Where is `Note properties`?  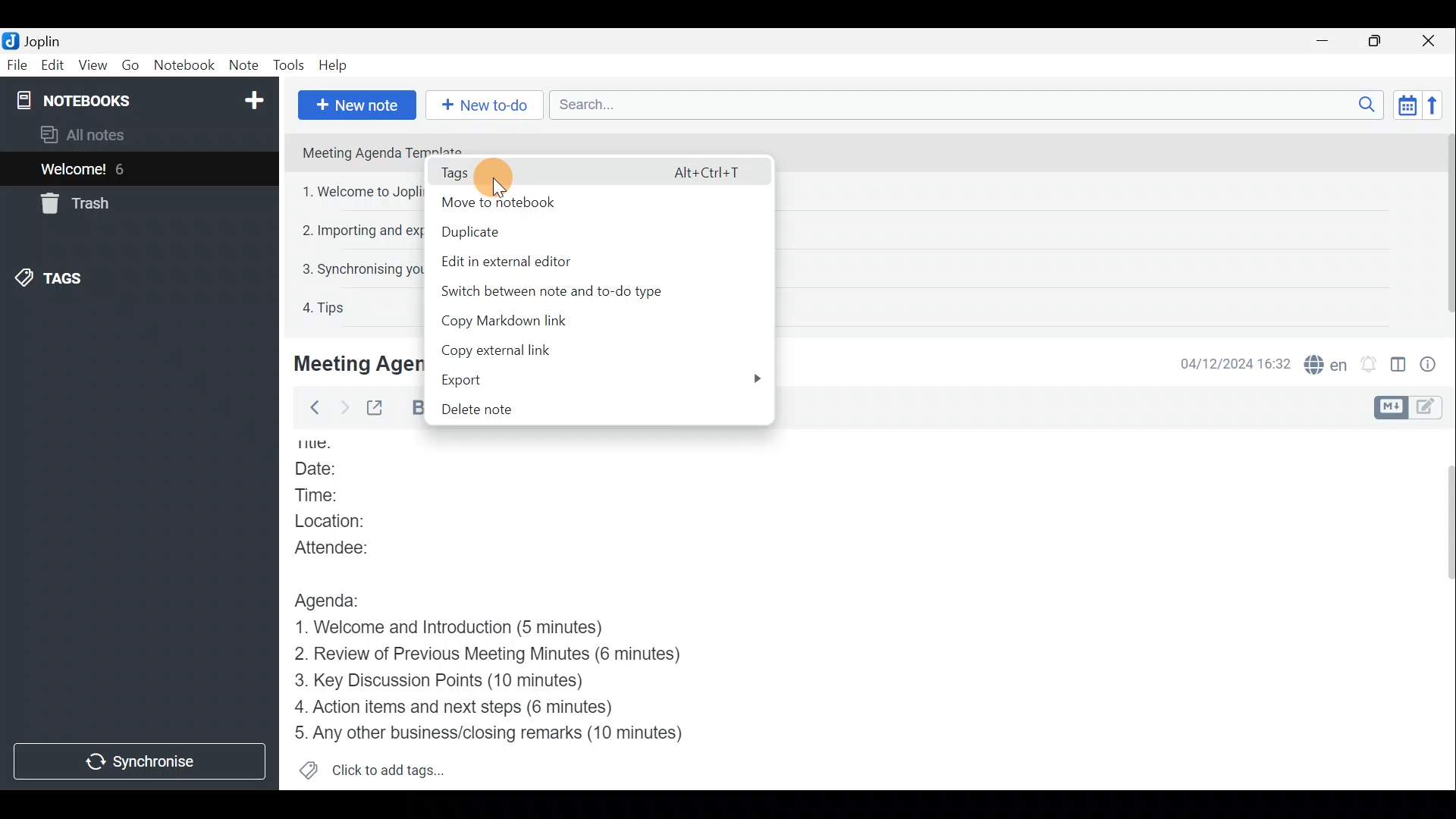
Note properties is located at coordinates (1433, 363).